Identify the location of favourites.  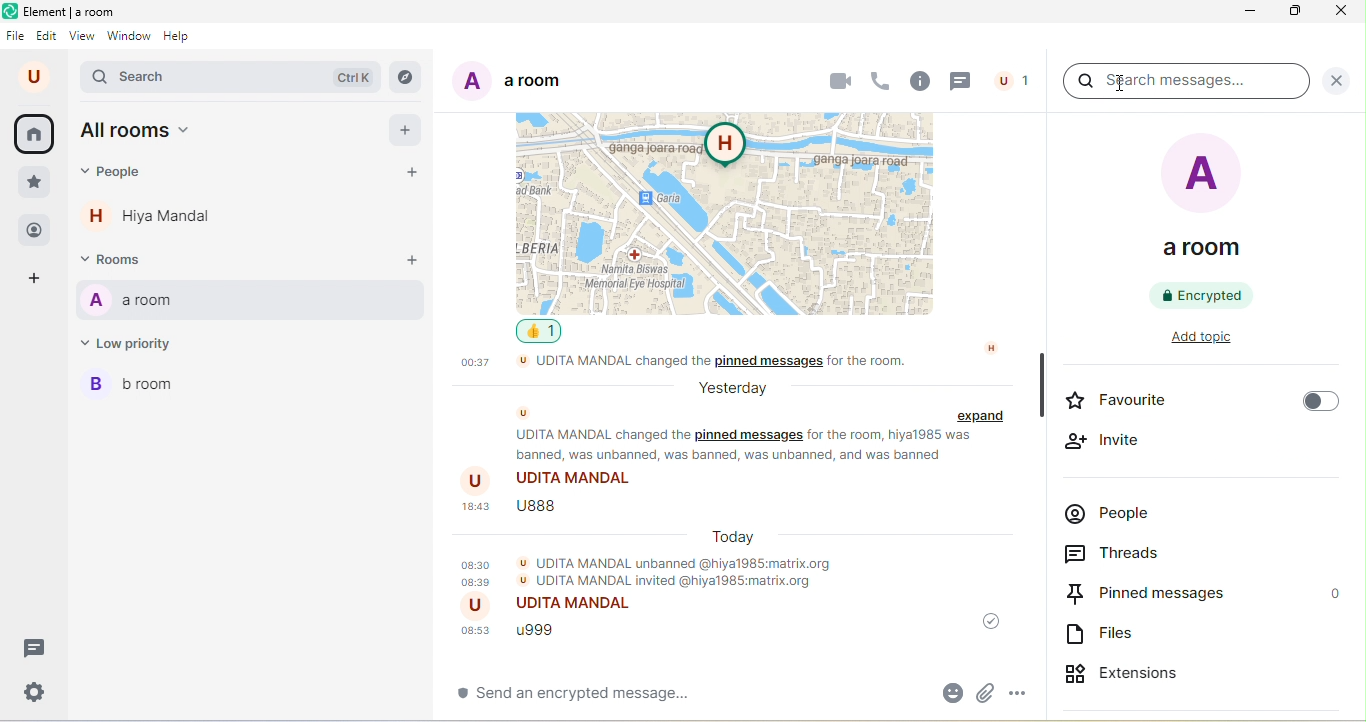
(34, 183).